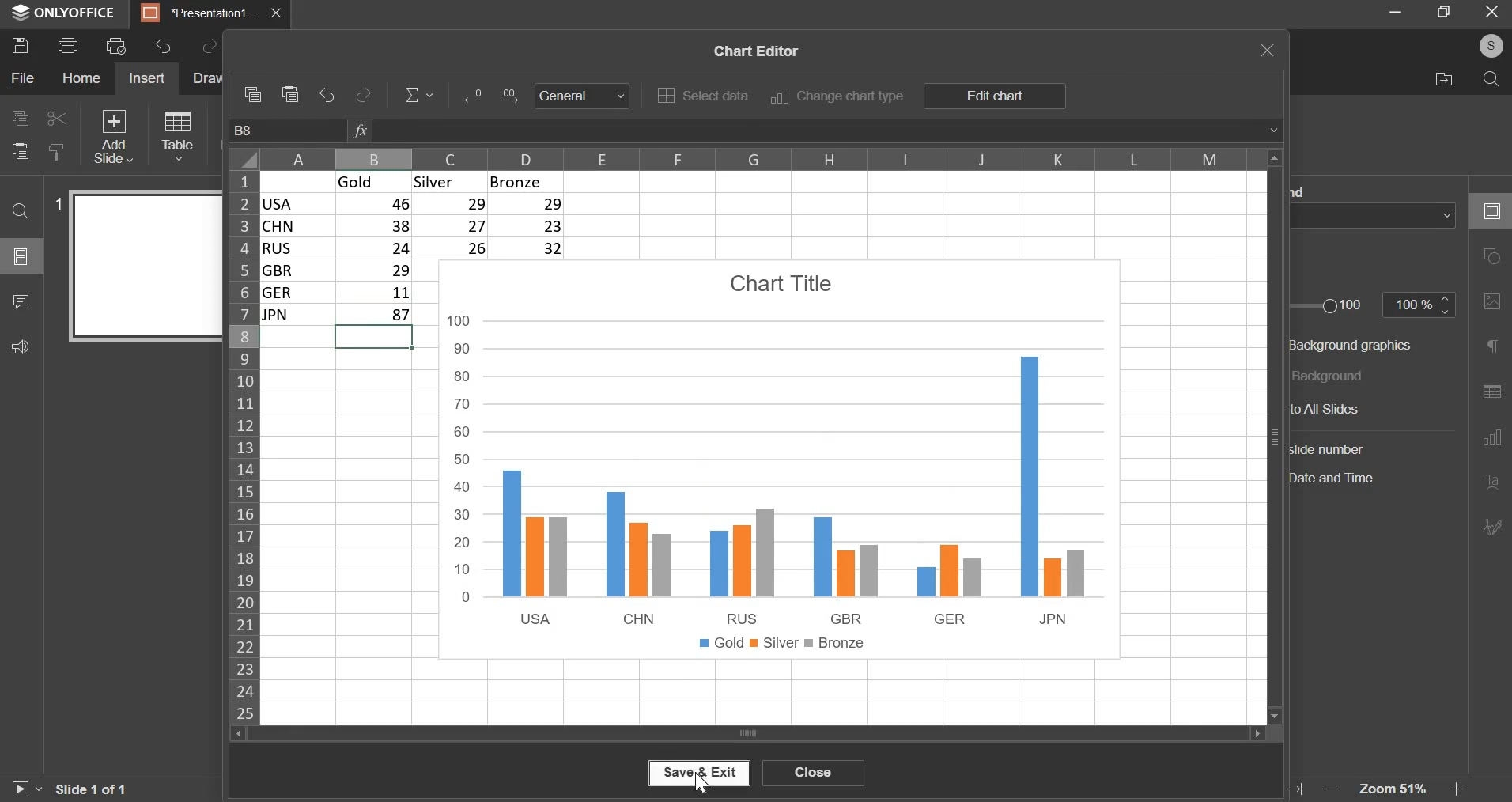 This screenshot has height=802, width=1512. What do you see at coordinates (65, 14) in the screenshot?
I see `window name` at bounding box center [65, 14].